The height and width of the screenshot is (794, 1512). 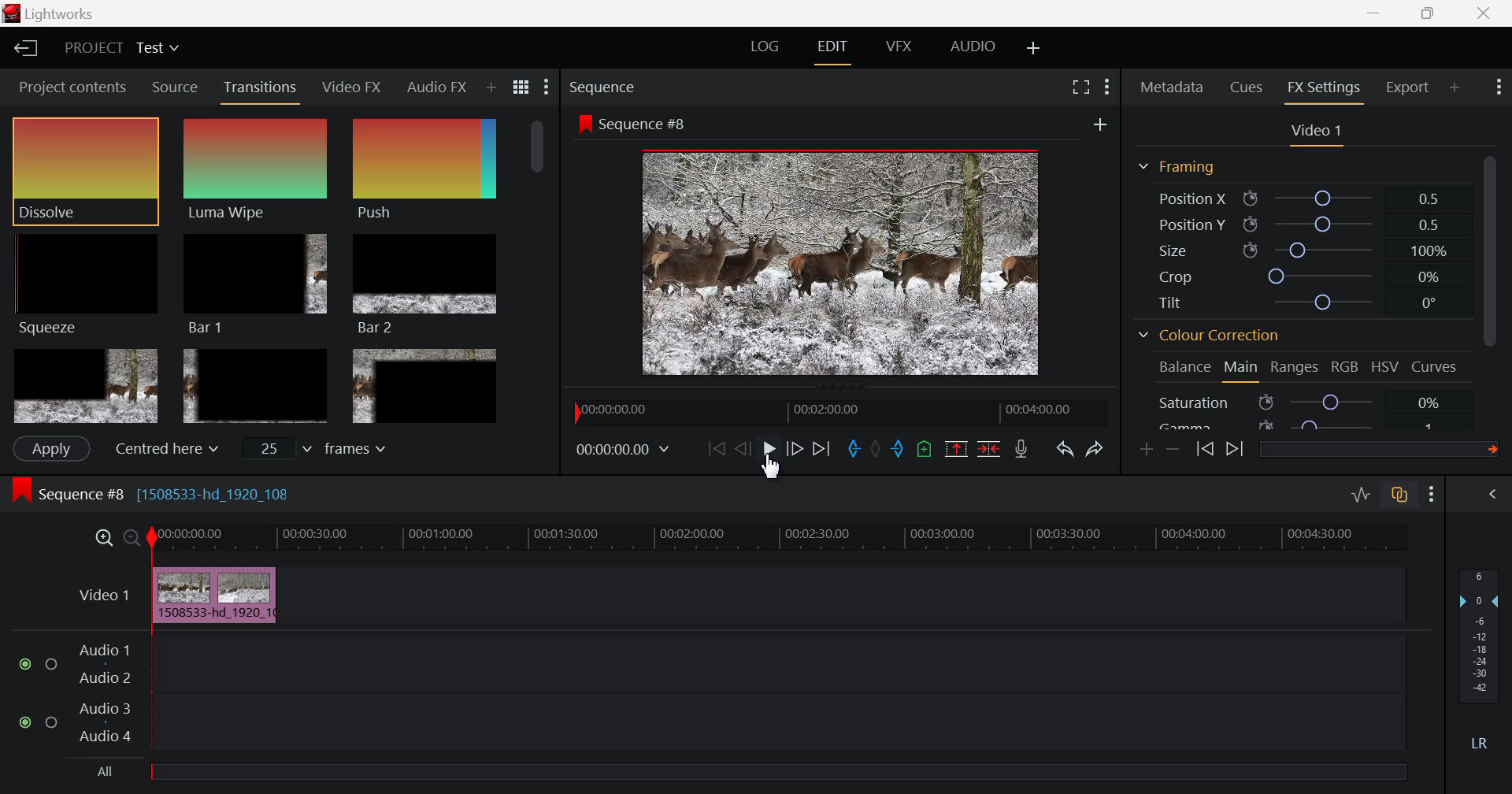 I want to click on frames input field, so click(x=329, y=447).